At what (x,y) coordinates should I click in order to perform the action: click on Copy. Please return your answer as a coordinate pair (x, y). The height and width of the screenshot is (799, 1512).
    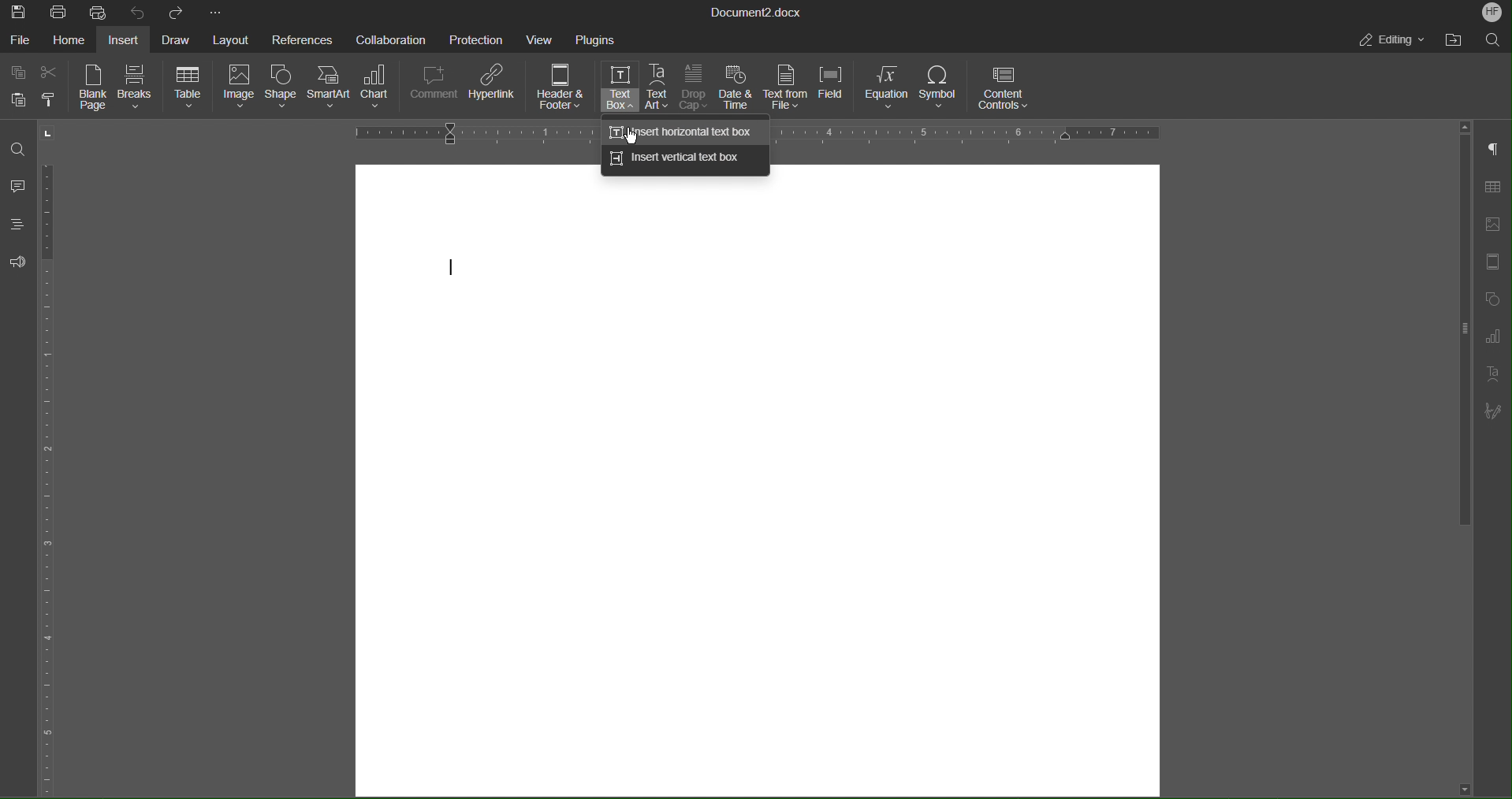
    Looking at the image, I should click on (17, 70).